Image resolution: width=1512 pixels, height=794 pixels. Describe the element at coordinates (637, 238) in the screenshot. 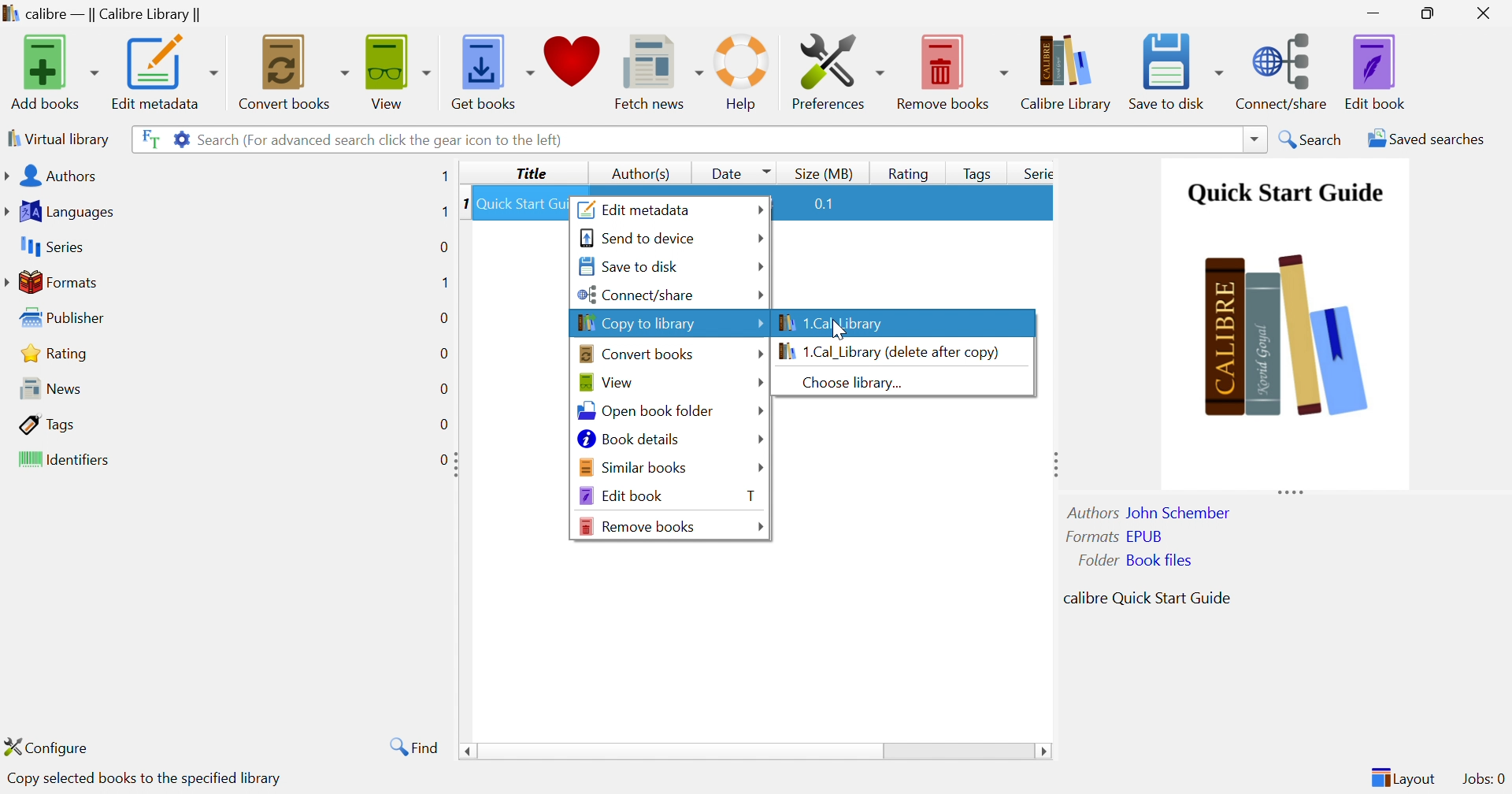

I see `Send to device` at that location.